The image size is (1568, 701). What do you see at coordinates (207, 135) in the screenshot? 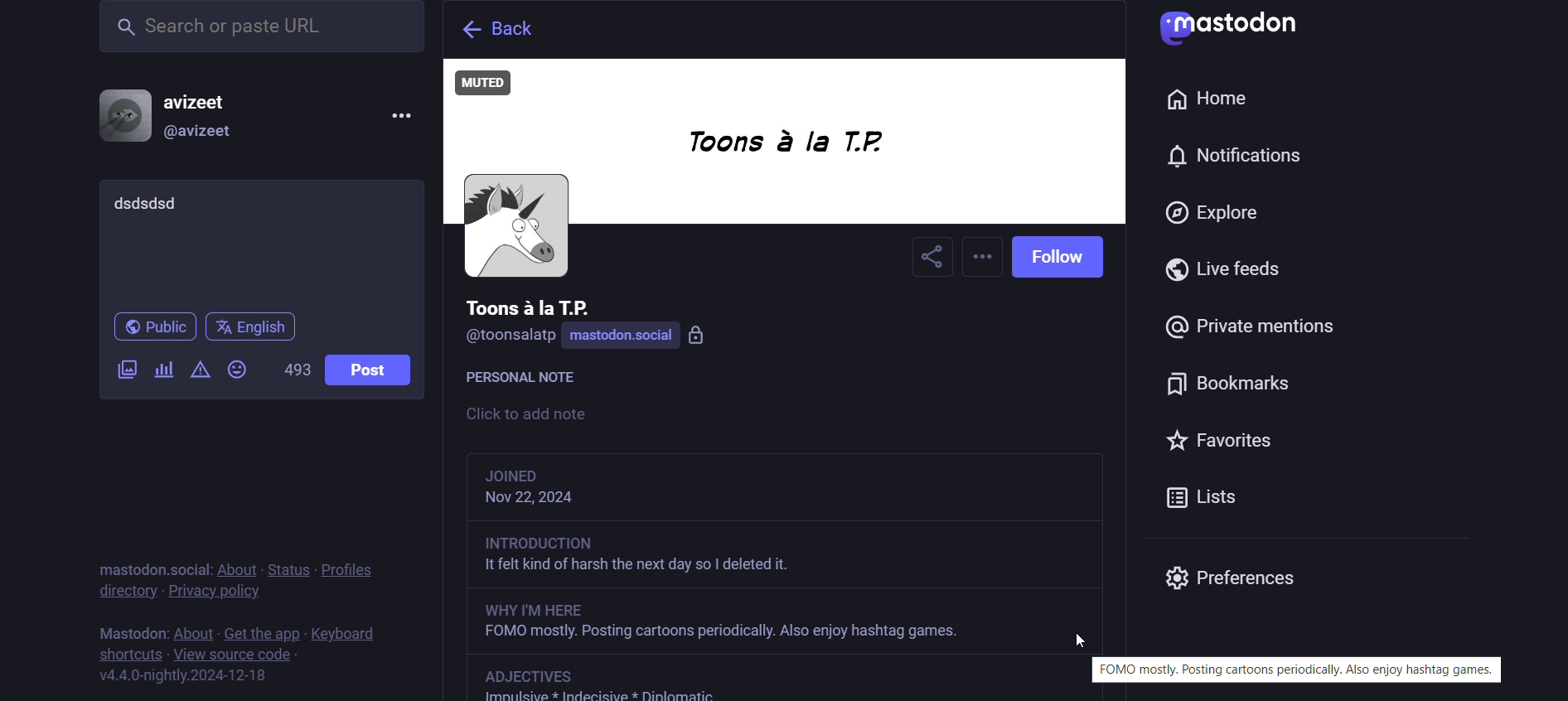
I see `@username` at bounding box center [207, 135].